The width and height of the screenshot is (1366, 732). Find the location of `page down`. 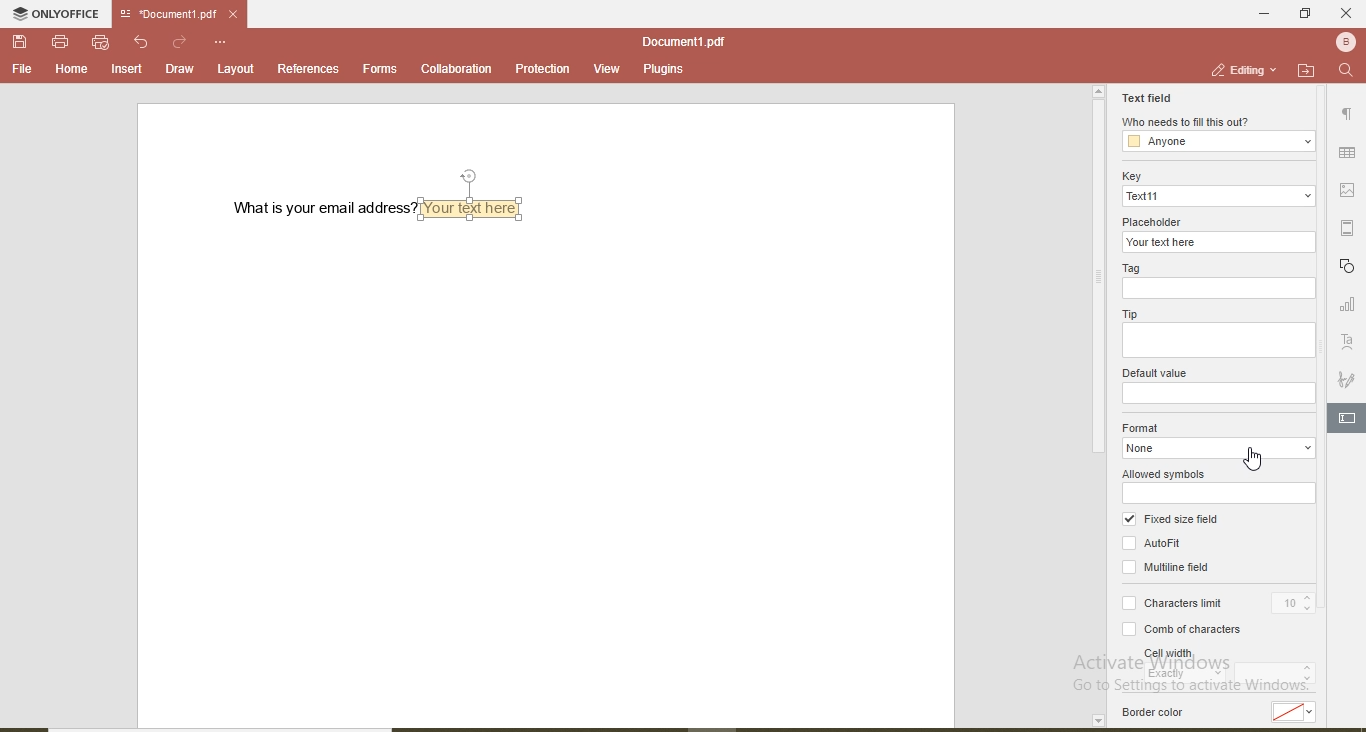

page down is located at coordinates (1097, 721).